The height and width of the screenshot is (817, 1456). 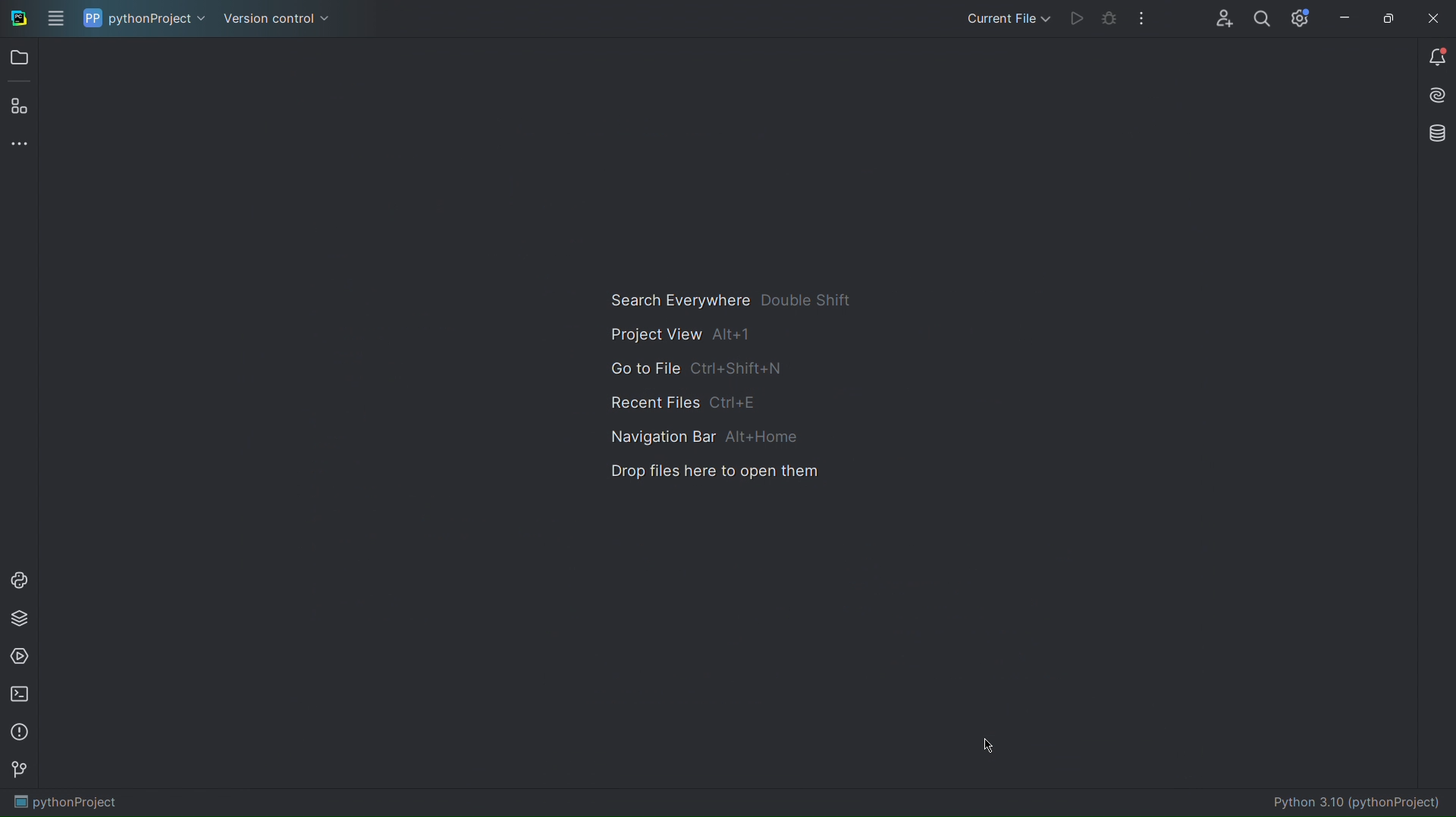 What do you see at coordinates (1079, 18) in the screenshot?
I see `Run` at bounding box center [1079, 18].